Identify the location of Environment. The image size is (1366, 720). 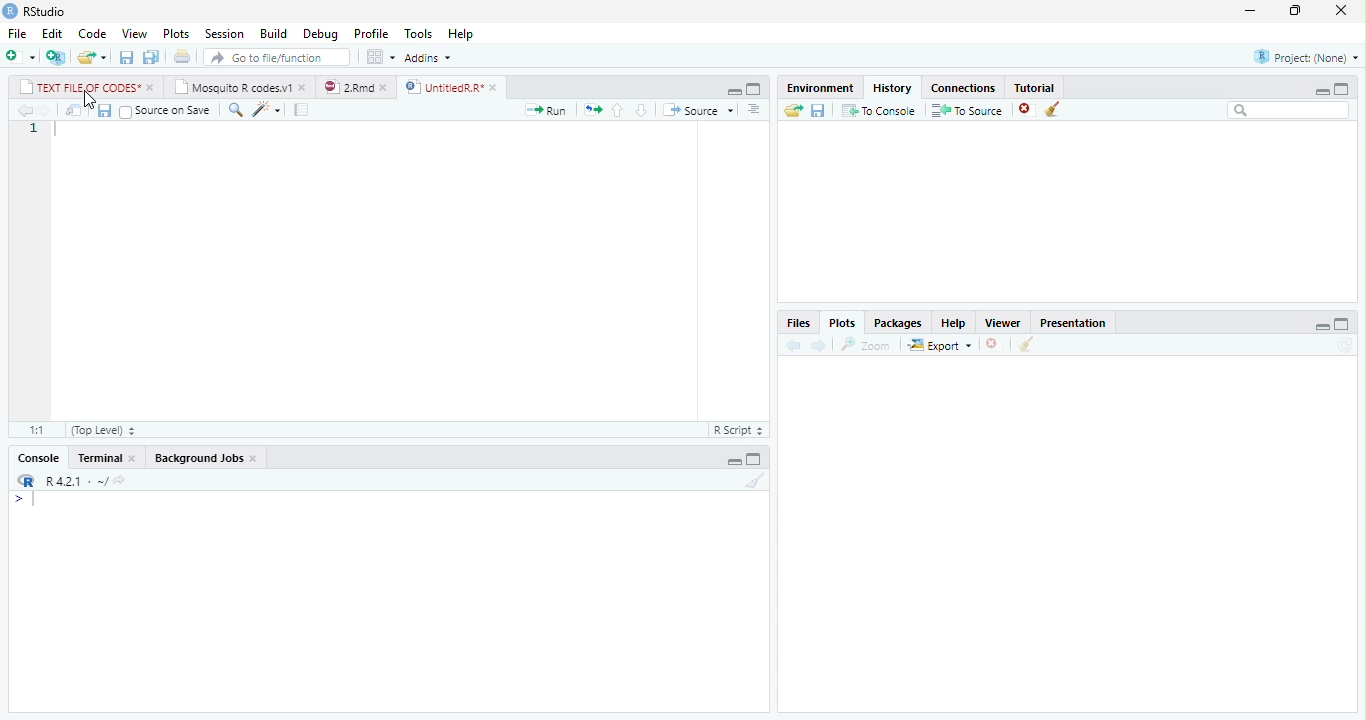
(820, 87).